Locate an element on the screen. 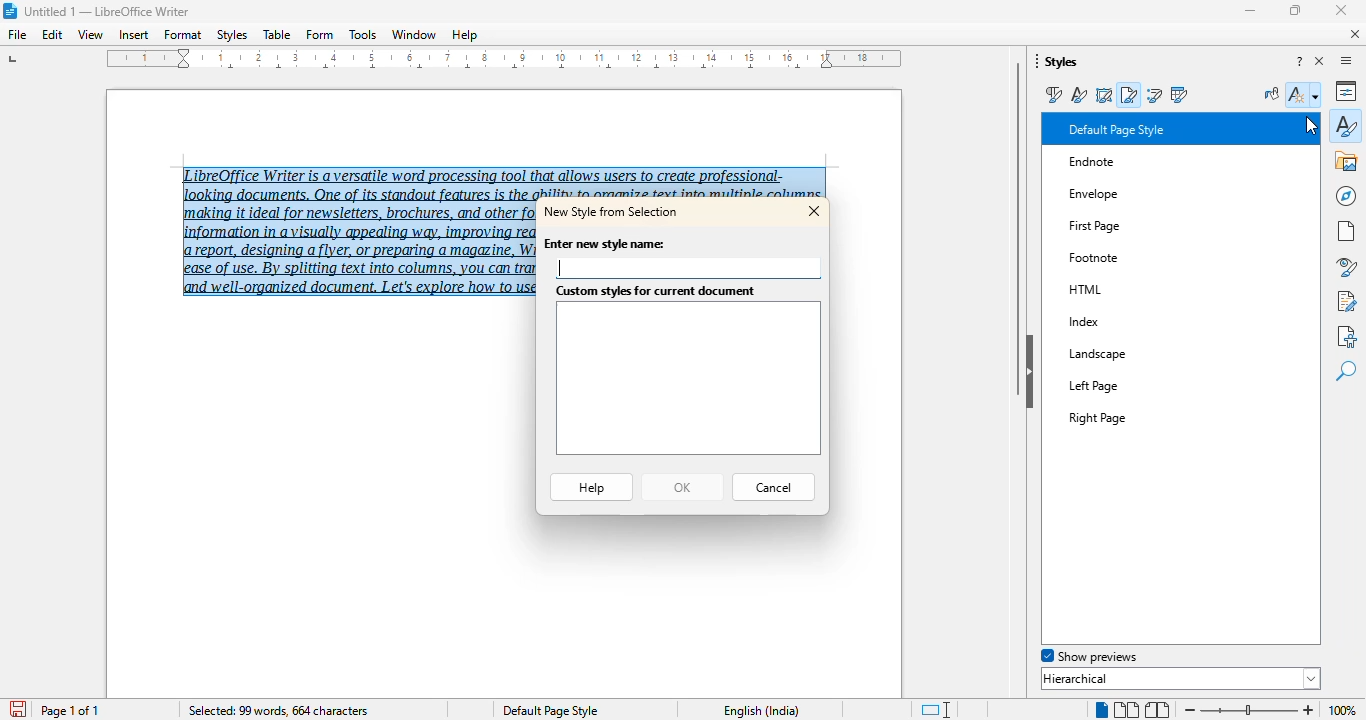  single page view is located at coordinates (1097, 710).